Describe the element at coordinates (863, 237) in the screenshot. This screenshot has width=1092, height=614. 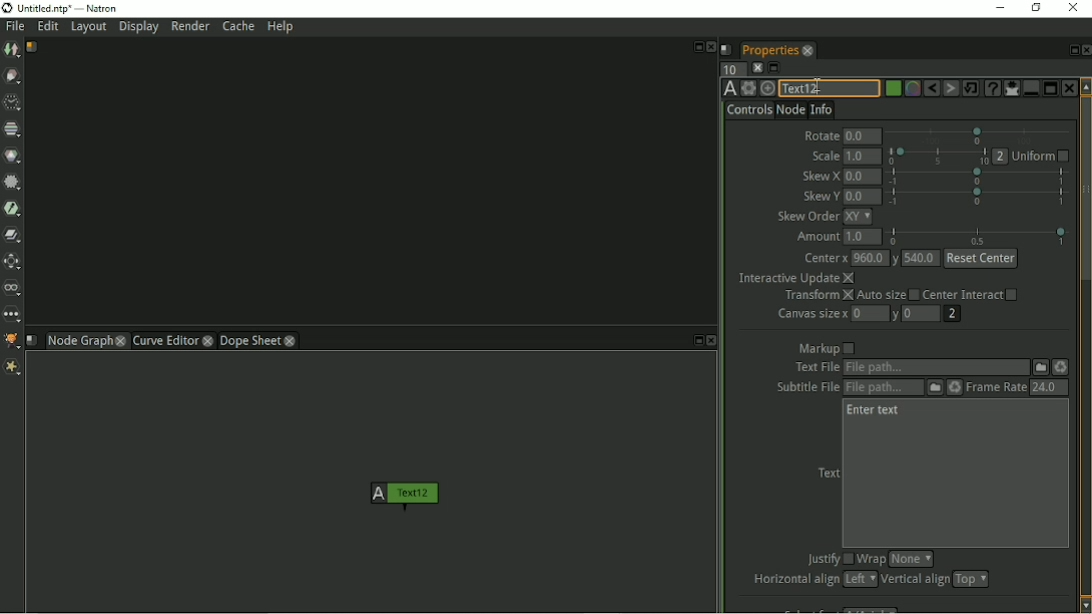
I see `1.0` at that location.